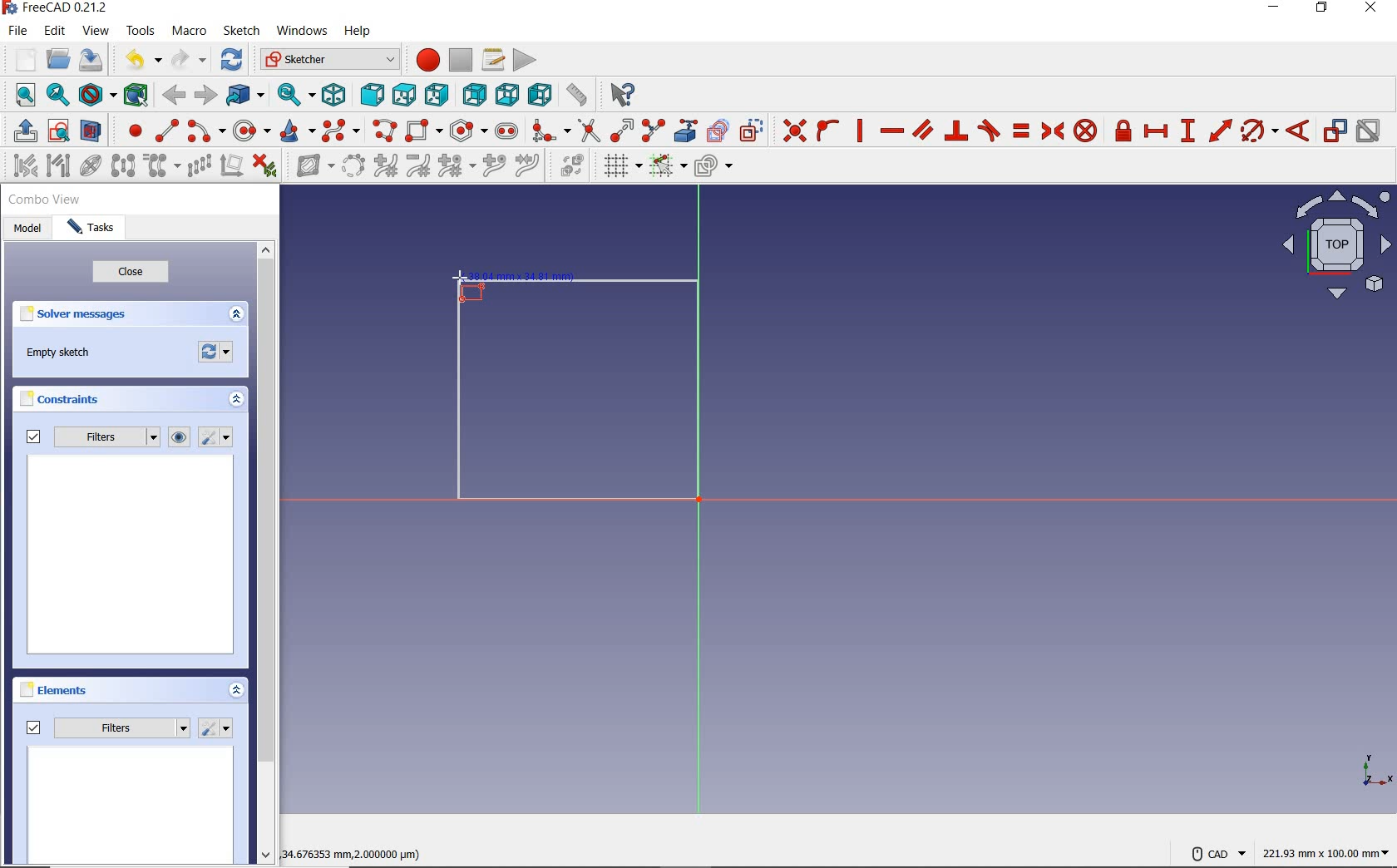  I want to click on symmetry, so click(122, 165).